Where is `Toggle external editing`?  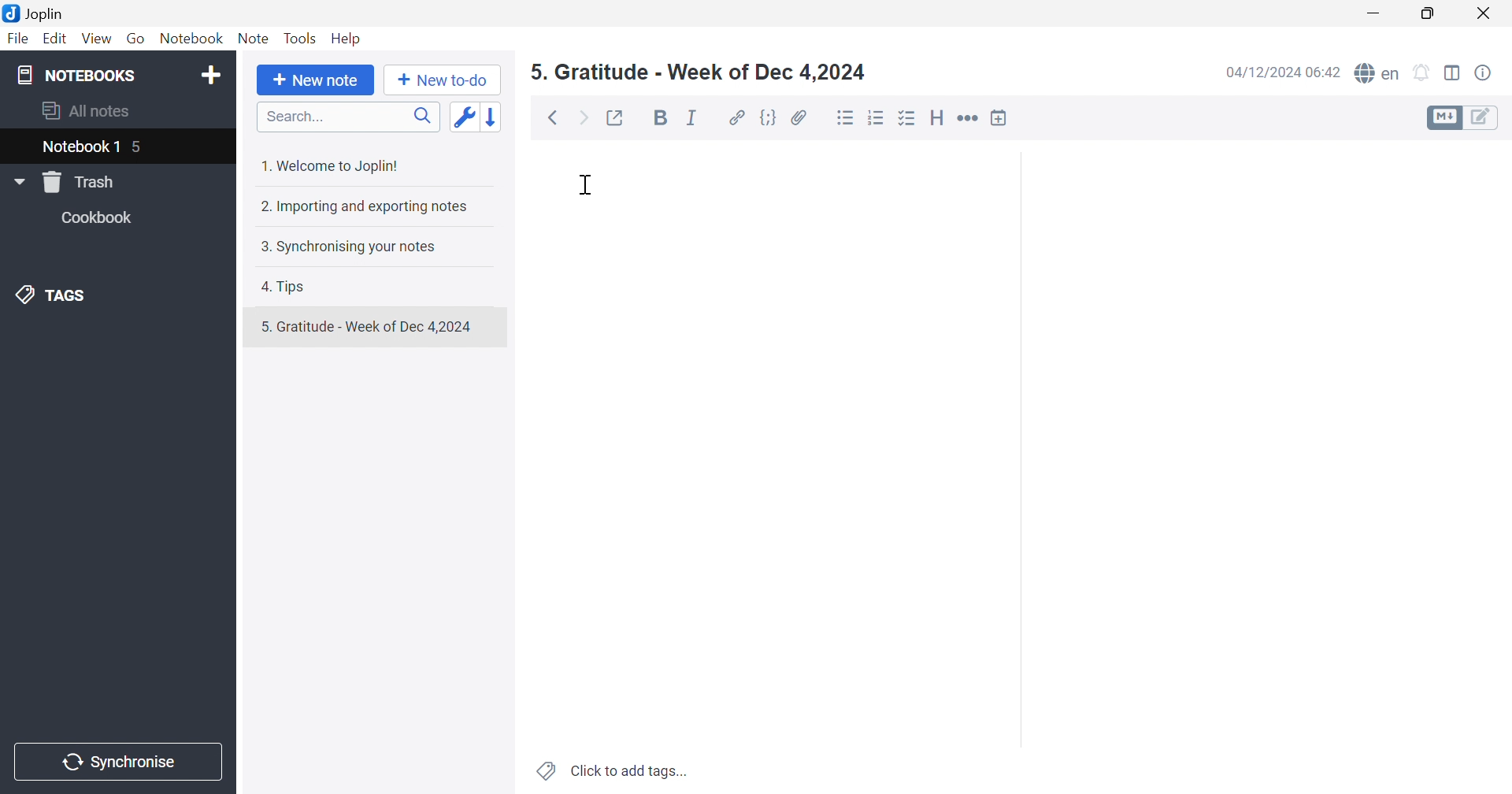
Toggle external editing is located at coordinates (621, 119).